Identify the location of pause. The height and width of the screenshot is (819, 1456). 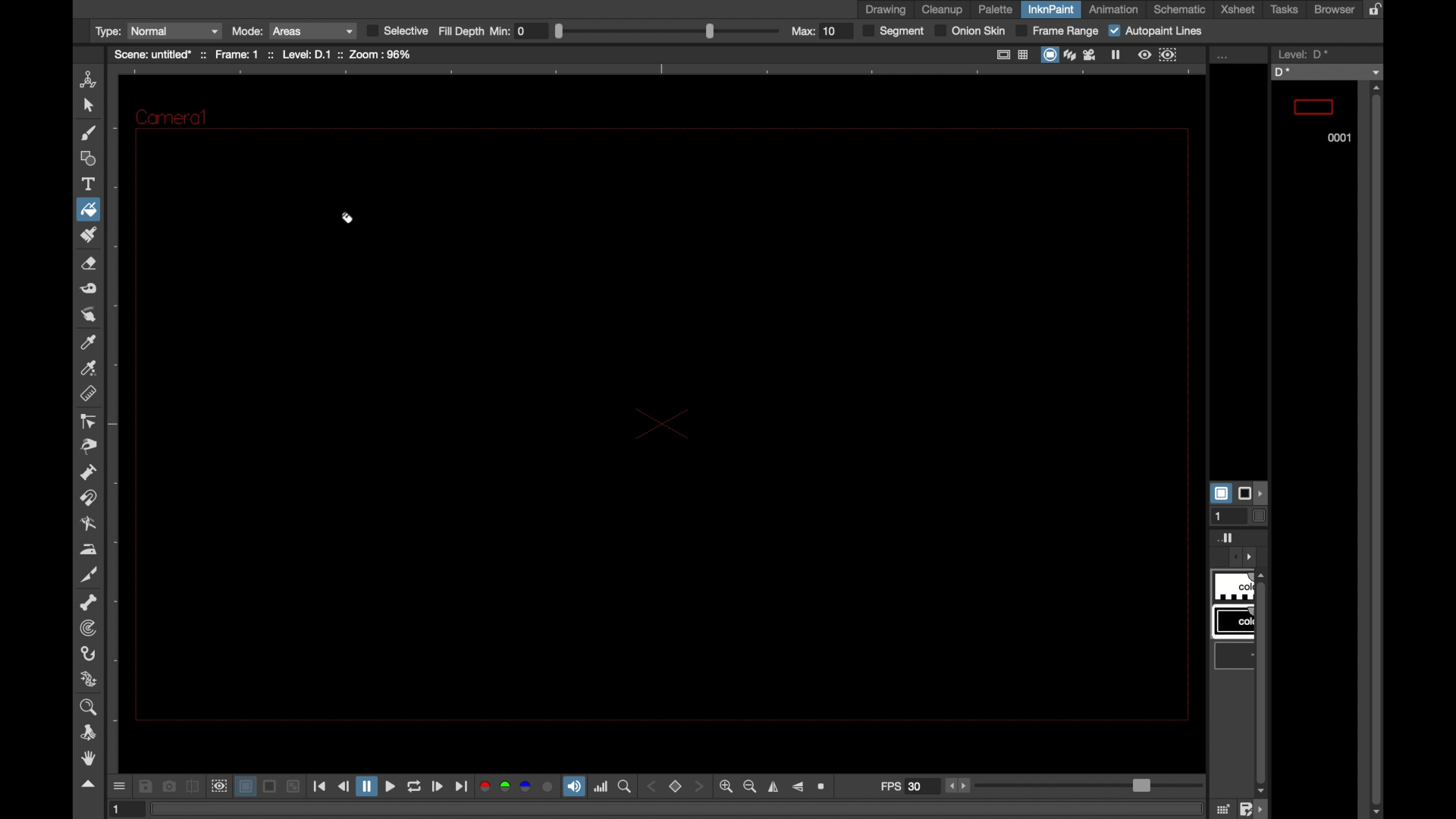
(1119, 55).